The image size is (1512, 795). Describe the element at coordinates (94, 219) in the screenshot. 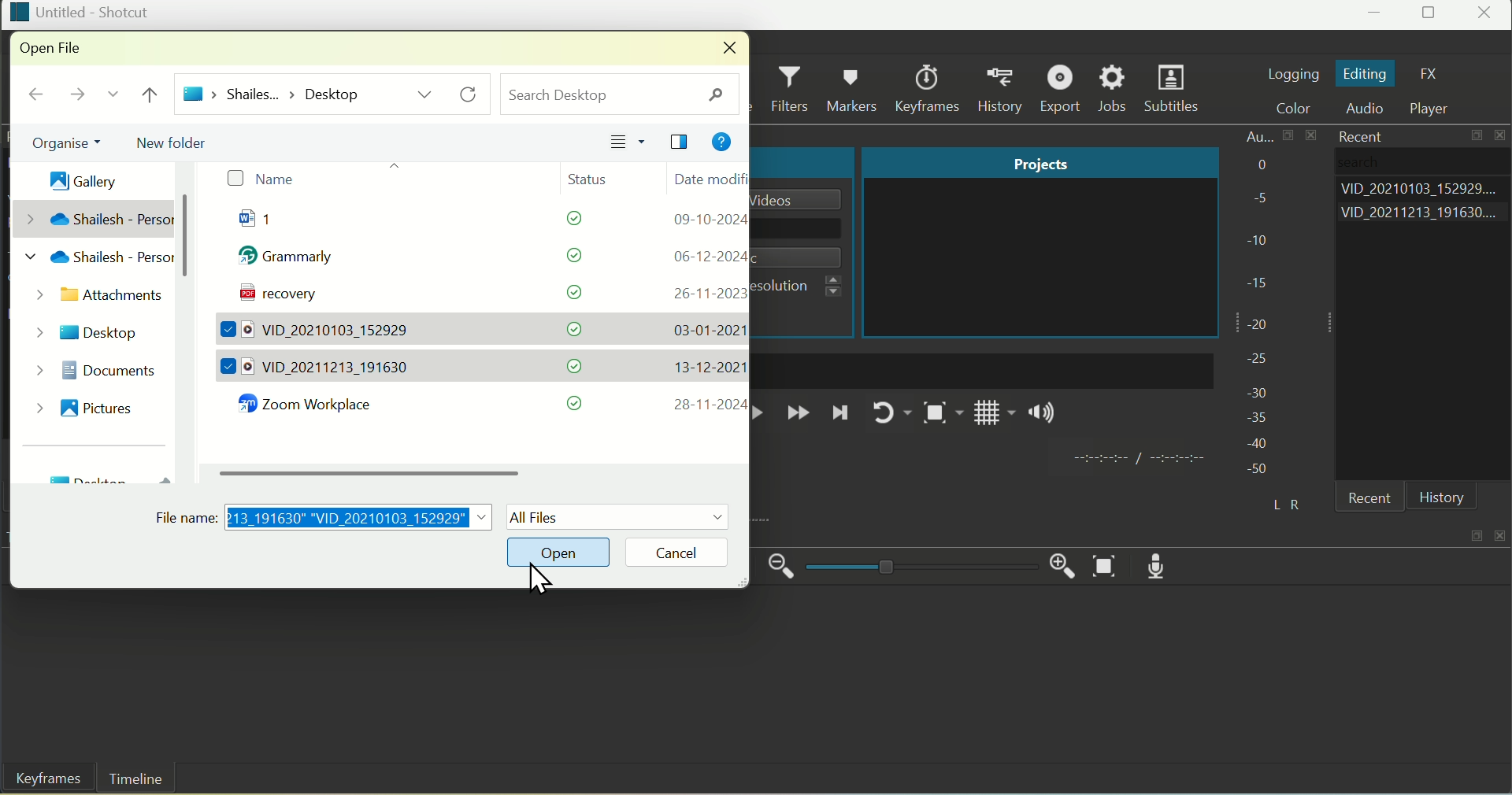

I see `Shailesh-Personal` at that location.